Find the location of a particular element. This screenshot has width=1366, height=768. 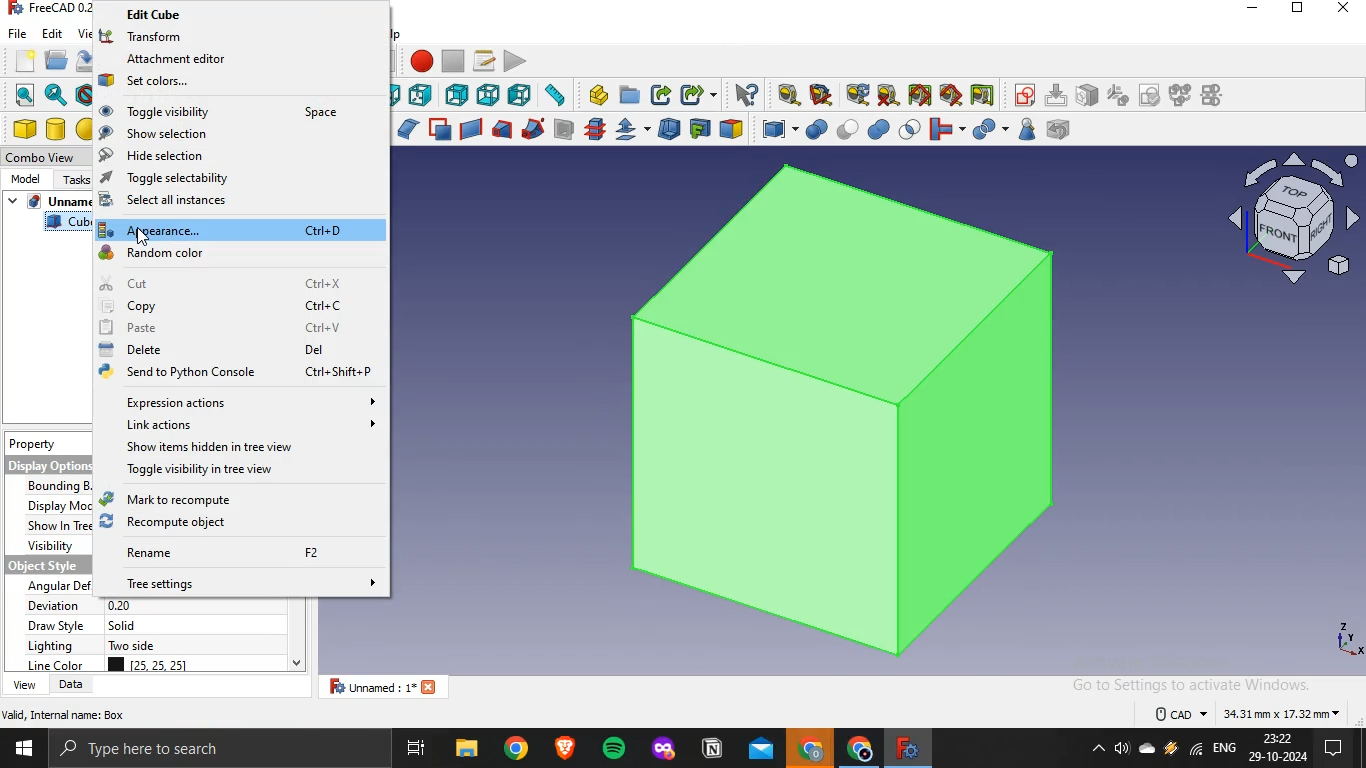

union is located at coordinates (879, 129).